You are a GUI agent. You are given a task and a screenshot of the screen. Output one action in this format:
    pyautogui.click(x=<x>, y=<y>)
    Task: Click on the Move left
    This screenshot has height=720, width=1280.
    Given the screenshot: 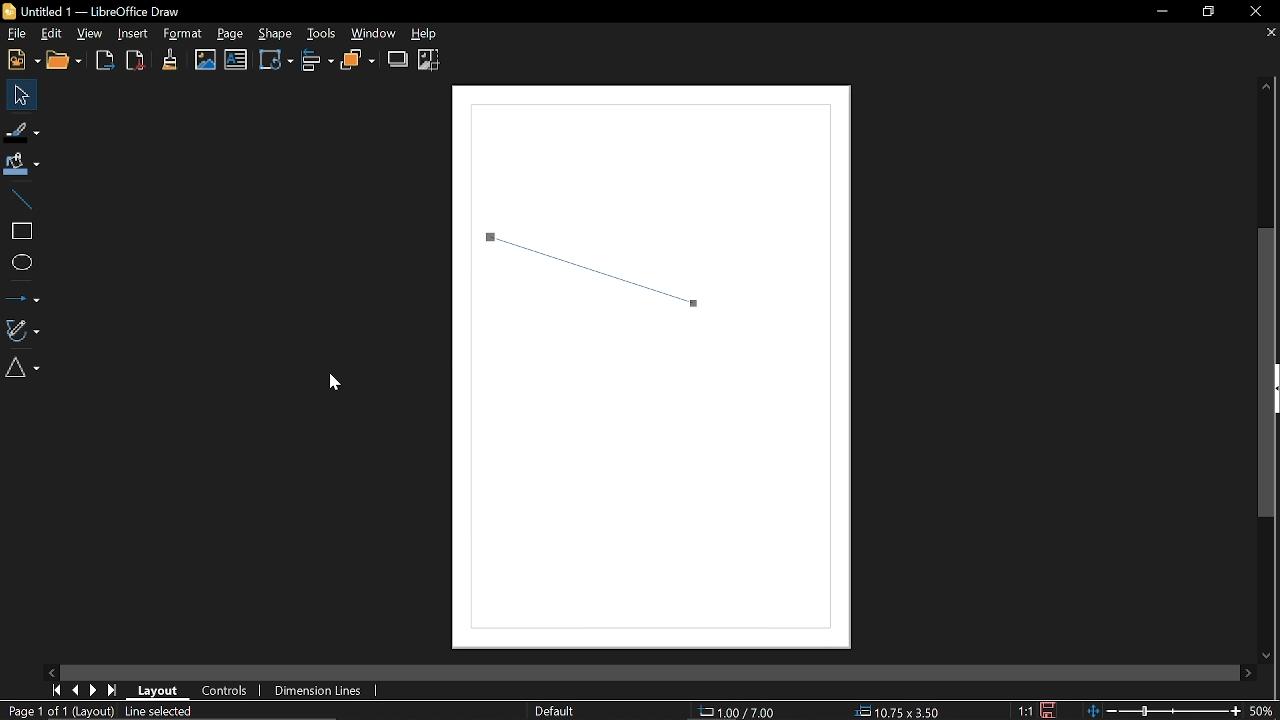 What is the action you would take?
    pyautogui.click(x=54, y=671)
    